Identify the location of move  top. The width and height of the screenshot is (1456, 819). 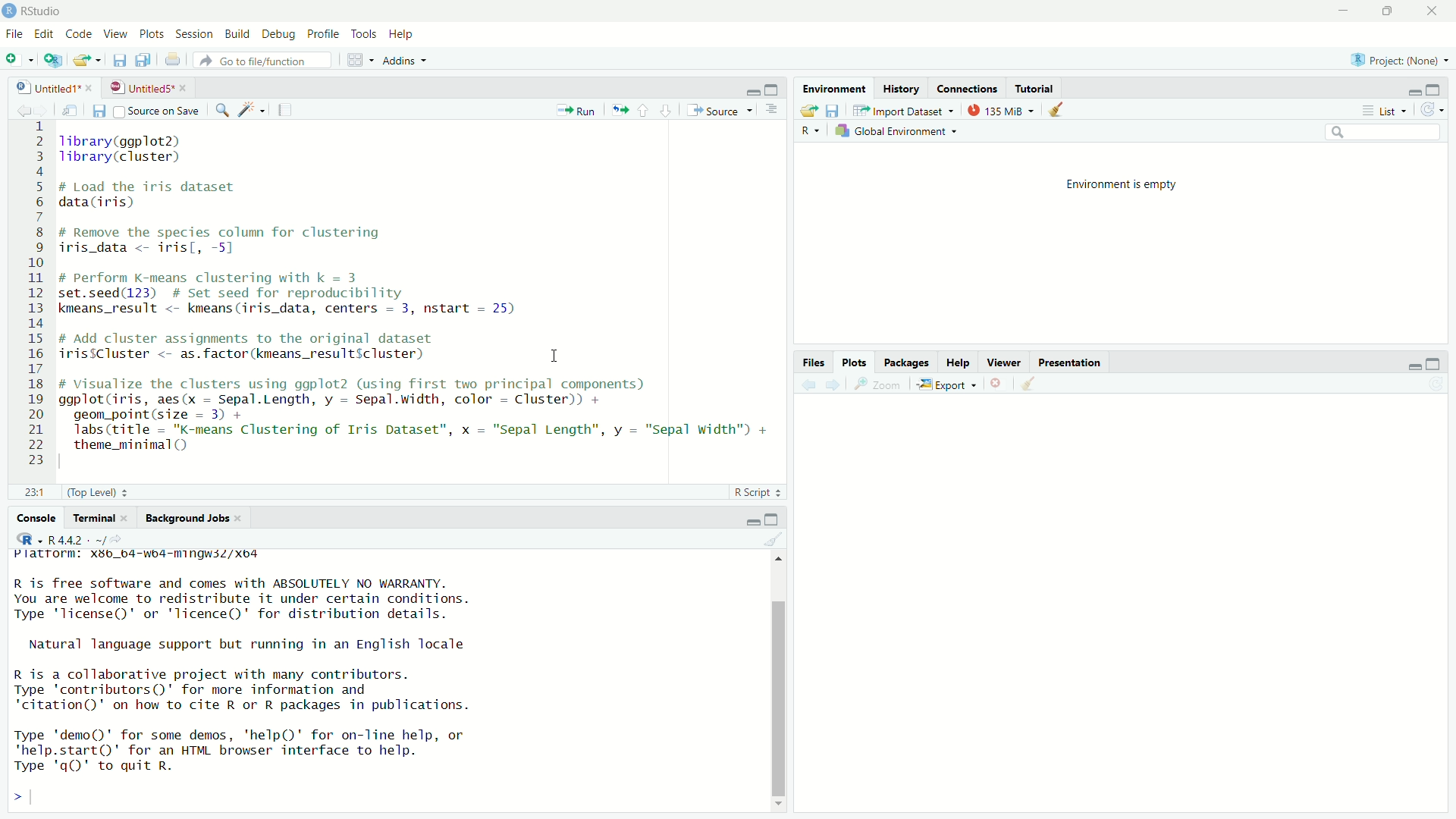
(778, 562).